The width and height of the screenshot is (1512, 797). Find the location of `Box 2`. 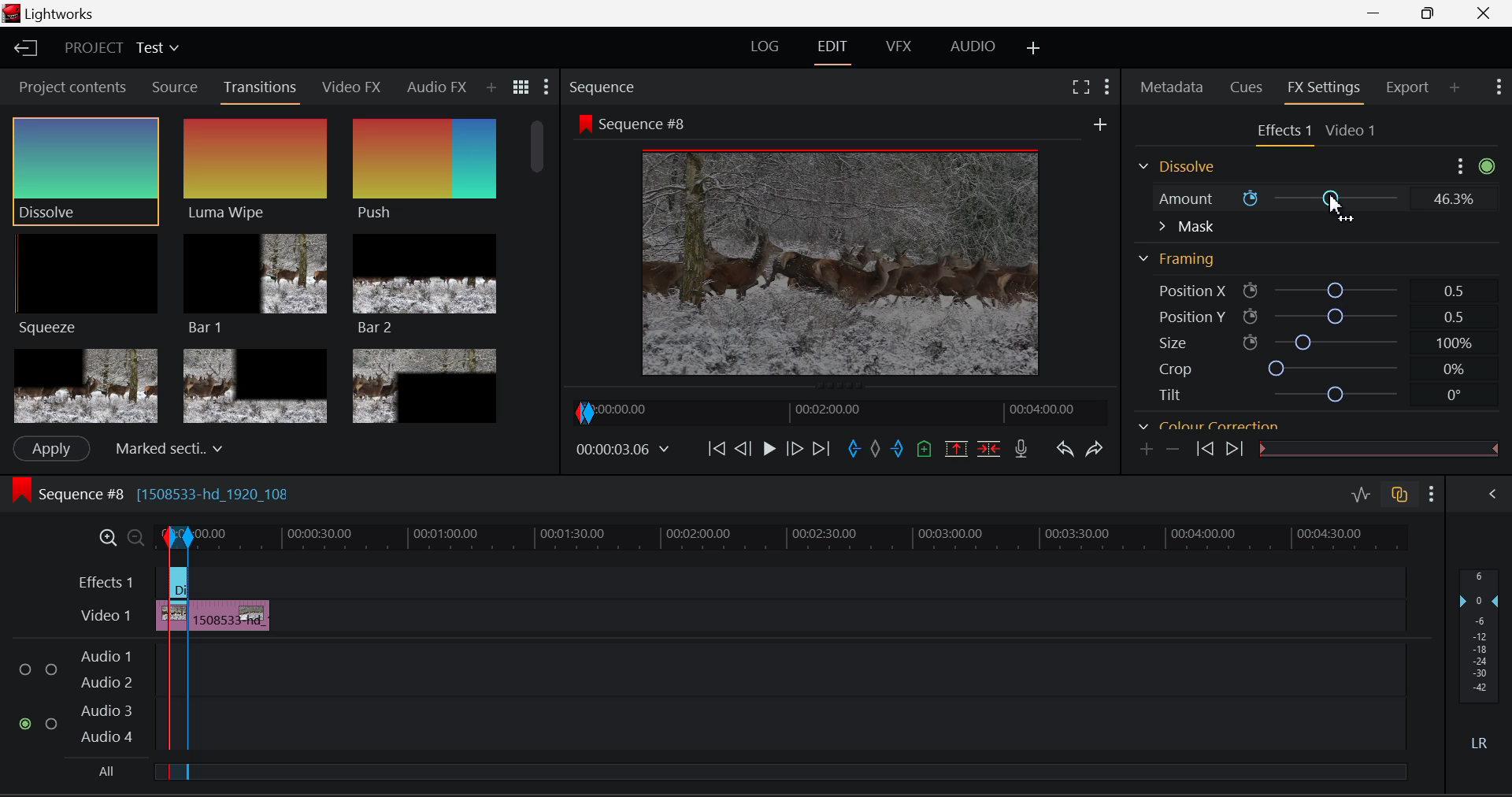

Box 2 is located at coordinates (255, 384).